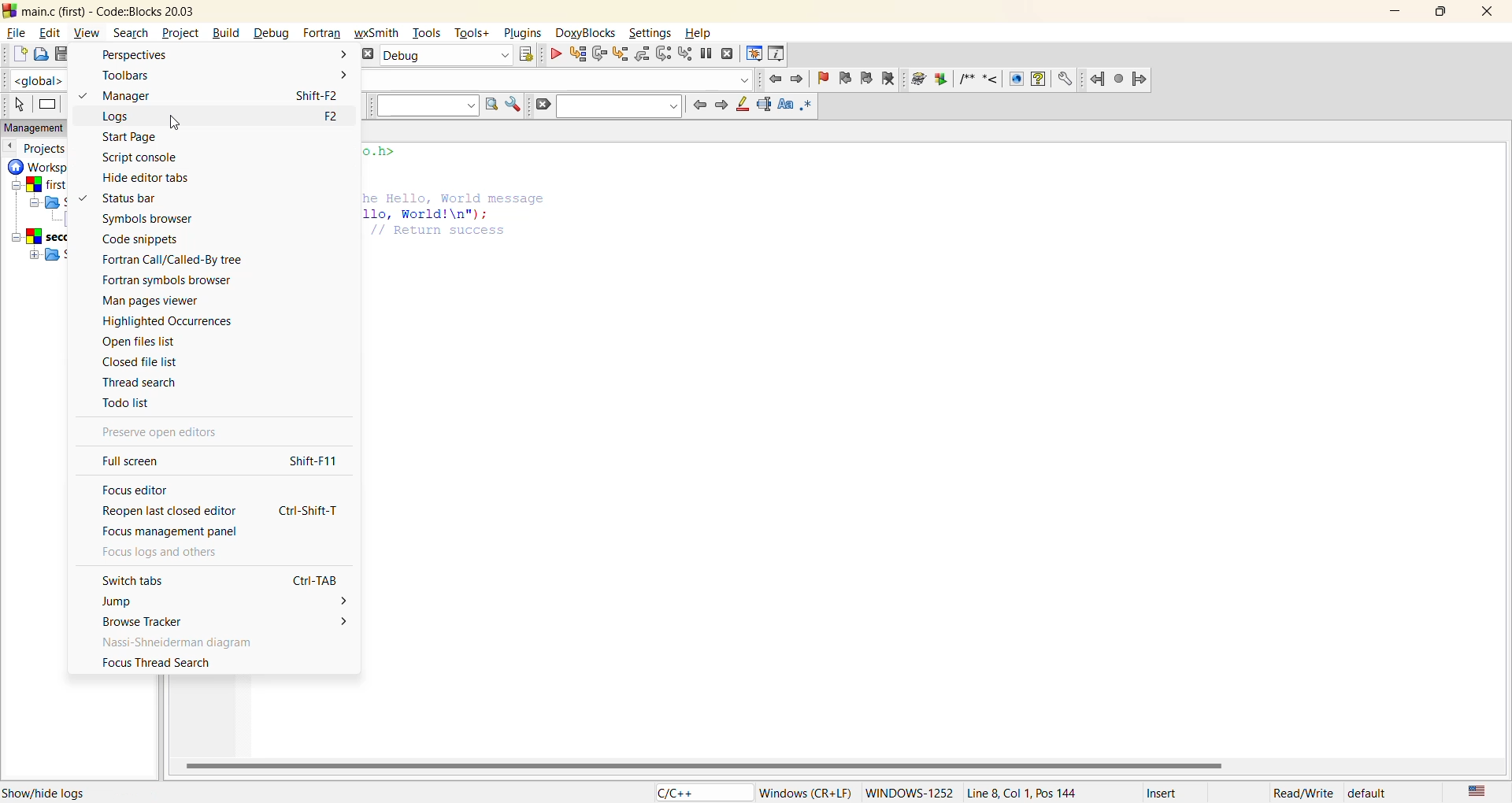  I want to click on text language, so click(1477, 792).